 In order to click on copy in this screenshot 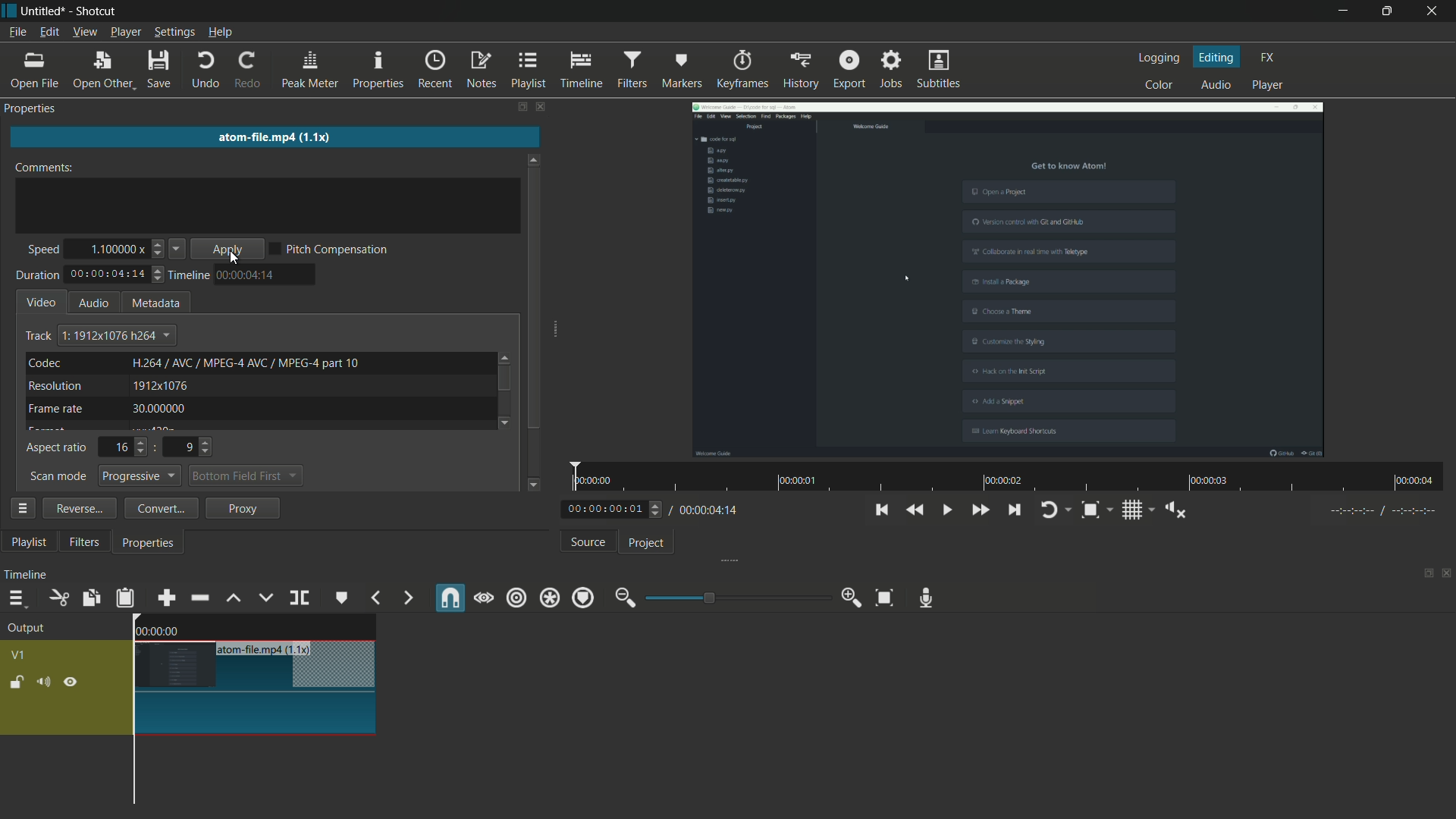, I will do `click(90, 598)`.